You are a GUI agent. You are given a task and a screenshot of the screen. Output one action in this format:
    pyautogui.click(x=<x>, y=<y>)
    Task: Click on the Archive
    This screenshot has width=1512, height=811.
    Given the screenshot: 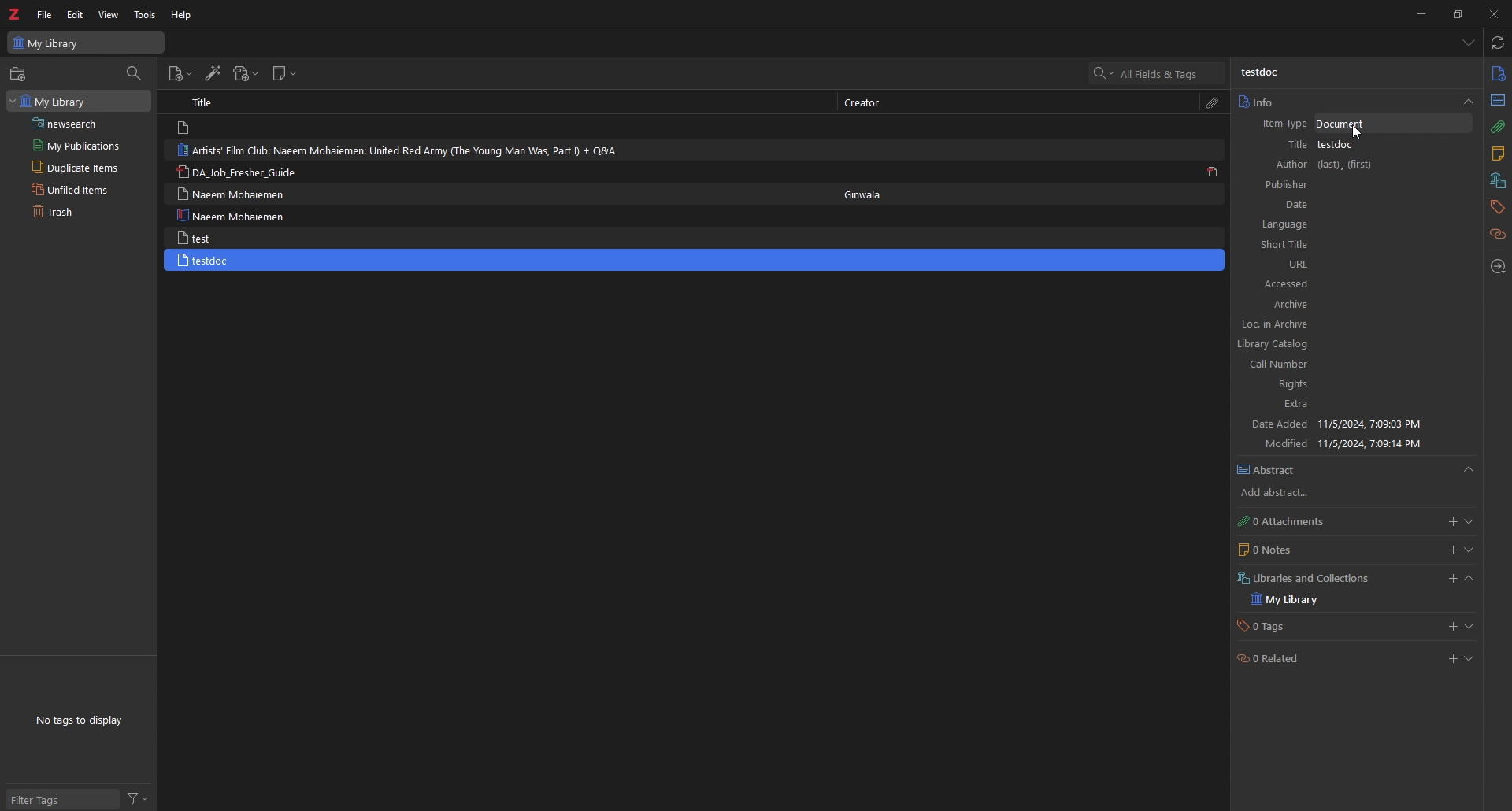 What is the action you would take?
    pyautogui.click(x=1356, y=305)
    